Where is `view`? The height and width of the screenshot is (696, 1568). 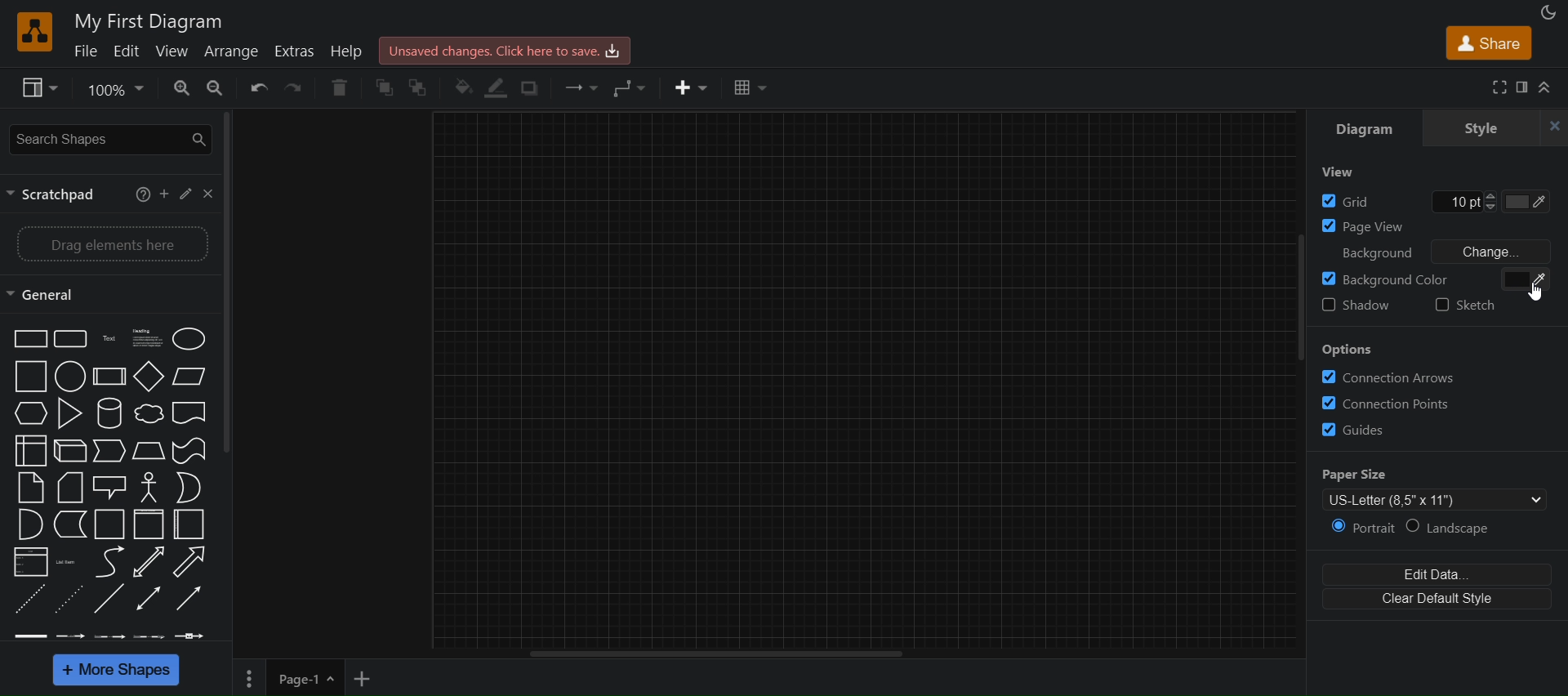
view is located at coordinates (1340, 173).